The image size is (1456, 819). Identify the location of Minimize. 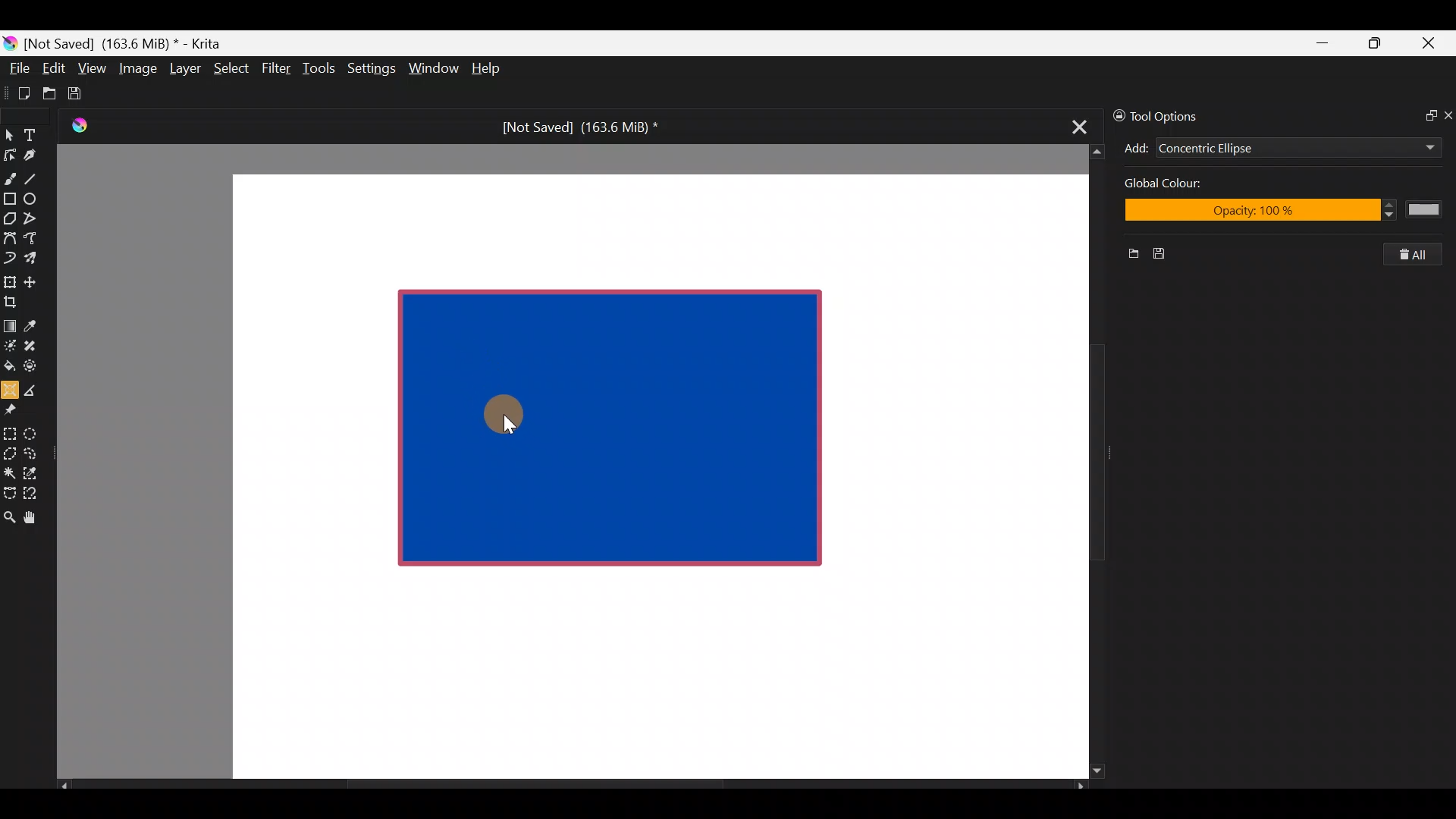
(1323, 43).